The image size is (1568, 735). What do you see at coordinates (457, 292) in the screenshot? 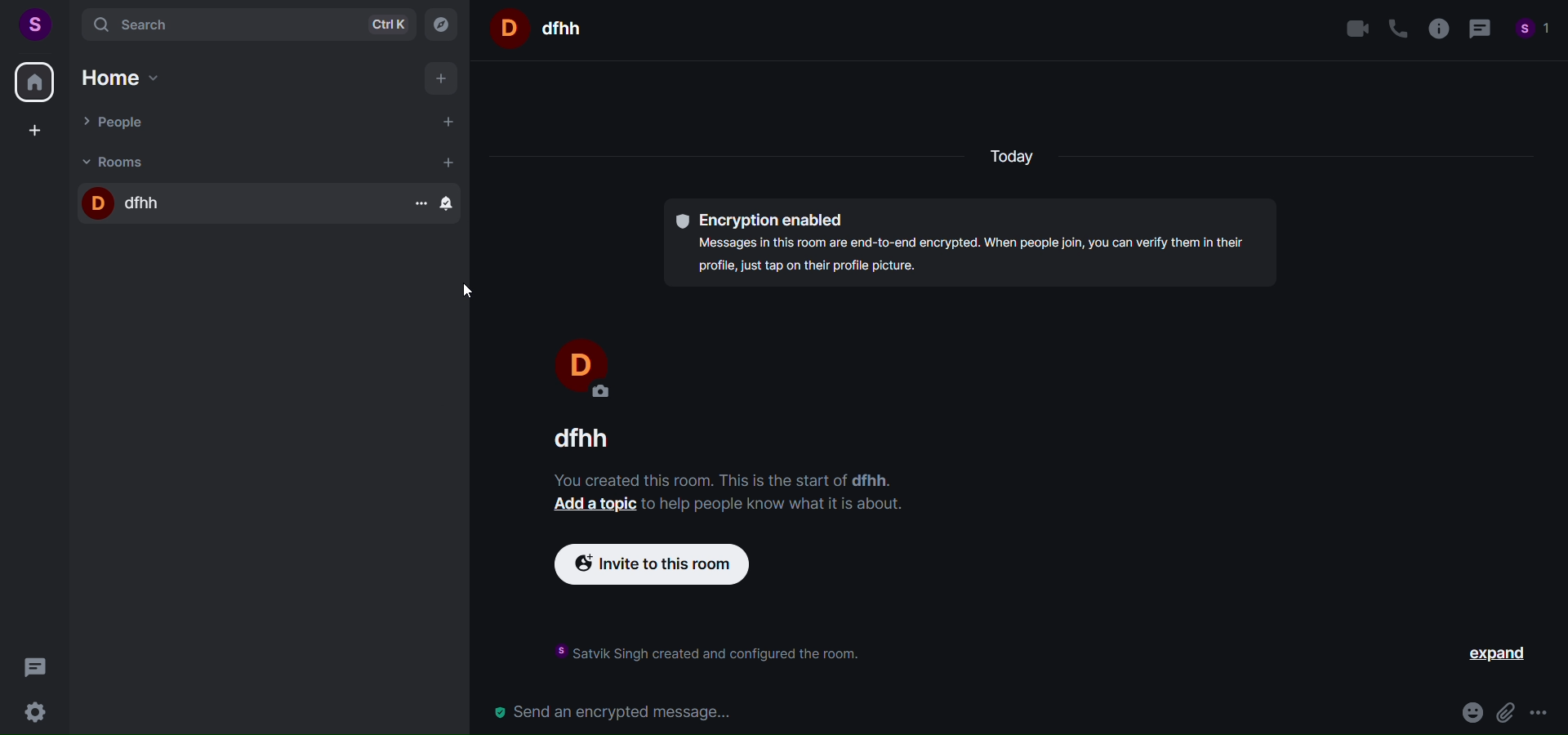
I see `cursor` at bounding box center [457, 292].